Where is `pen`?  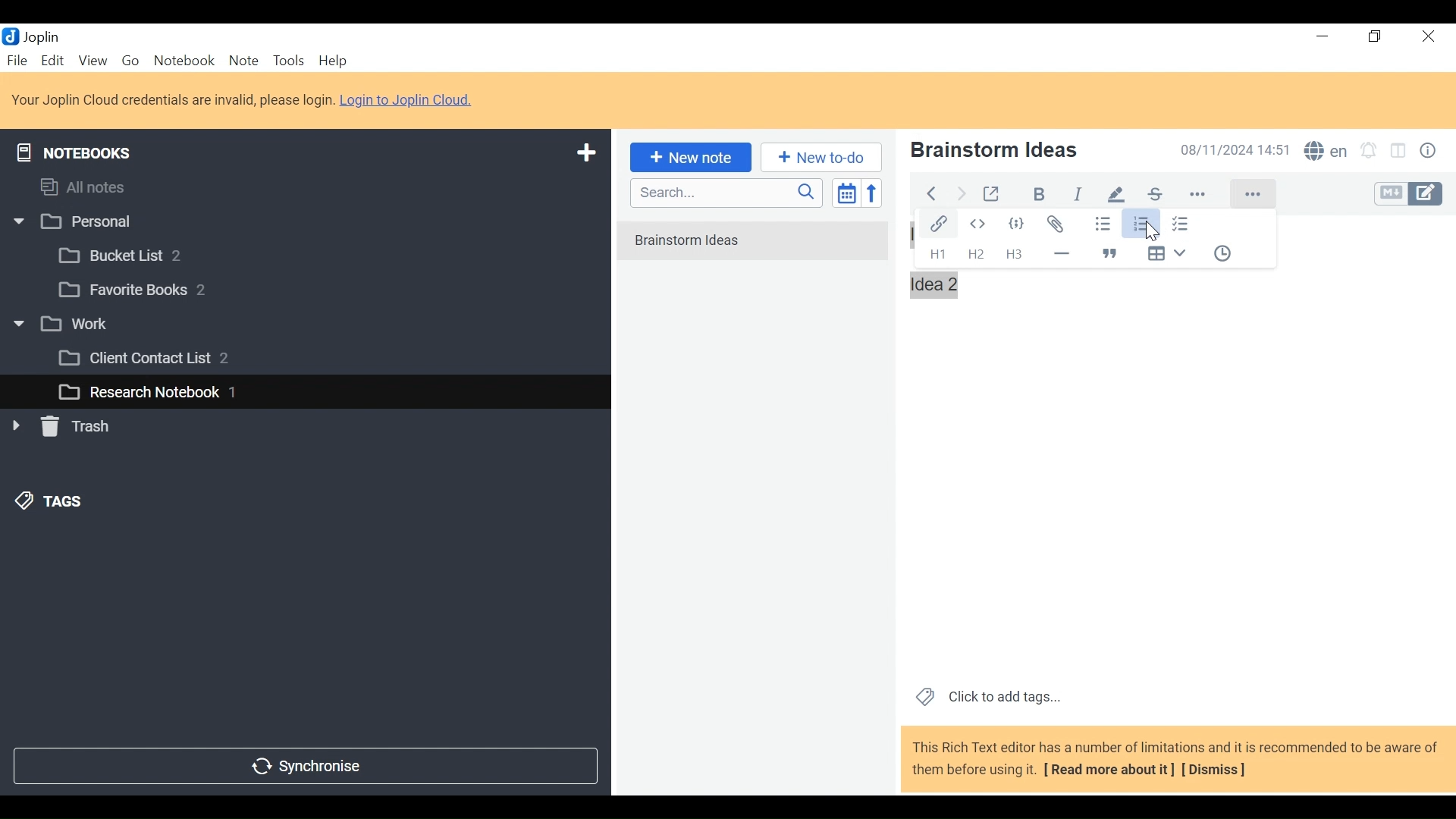 pen is located at coordinates (1116, 191).